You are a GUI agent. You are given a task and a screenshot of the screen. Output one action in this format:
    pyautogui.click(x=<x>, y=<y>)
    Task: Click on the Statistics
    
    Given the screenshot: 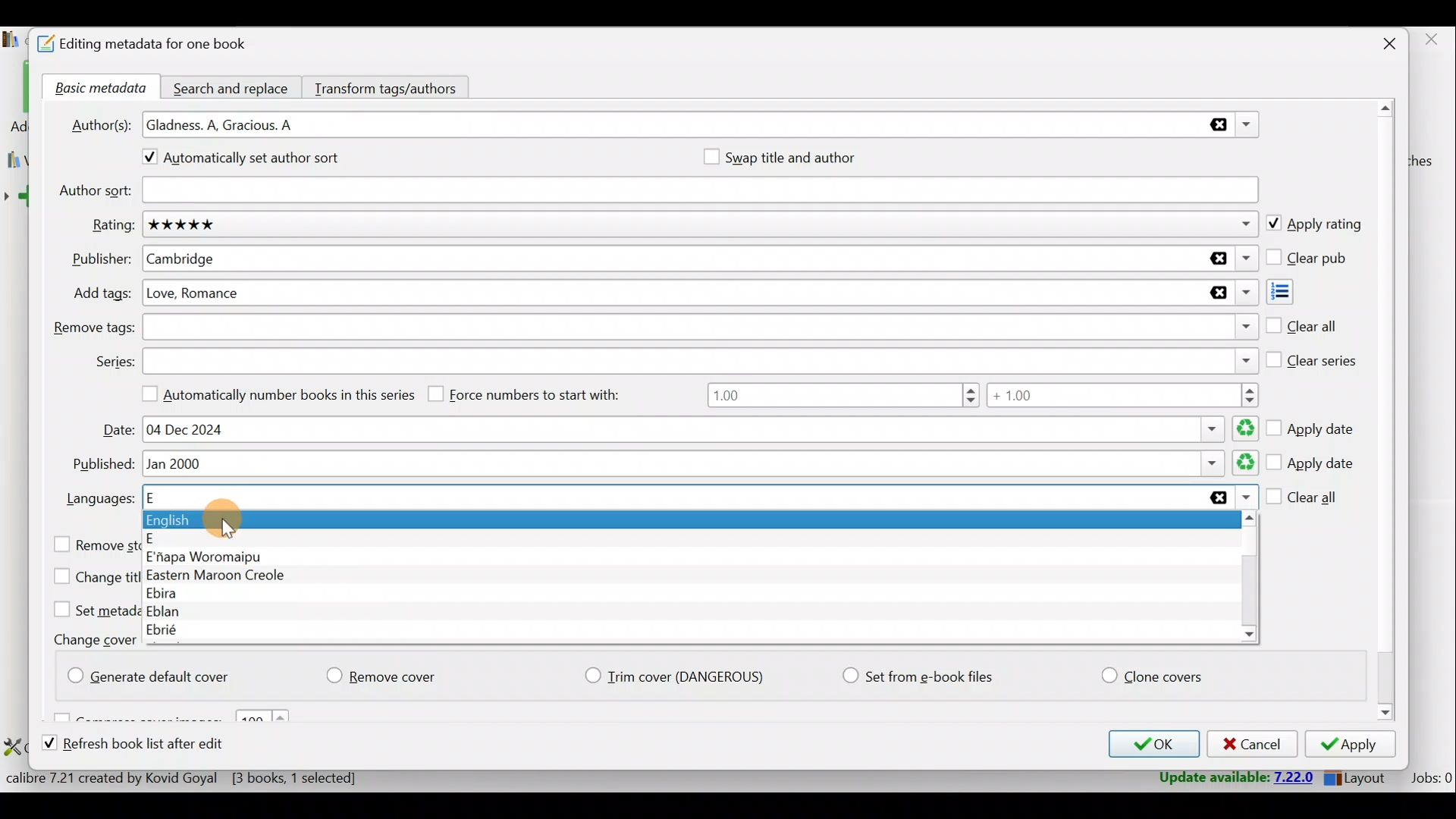 What is the action you would take?
    pyautogui.click(x=210, y=777)
    